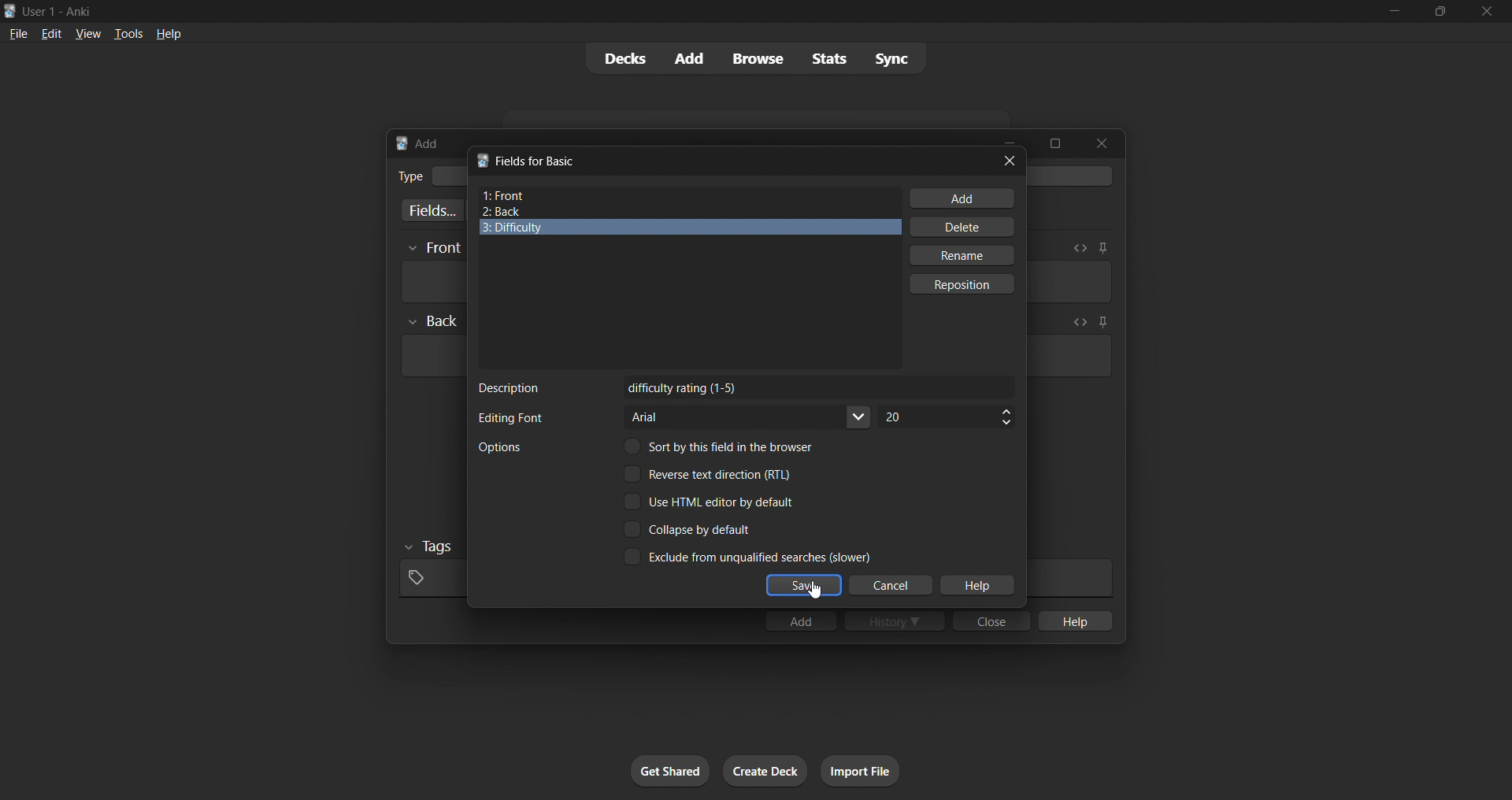  Describe the element at coordinates (169, 34) in the screenshot. I see `help` at that location.